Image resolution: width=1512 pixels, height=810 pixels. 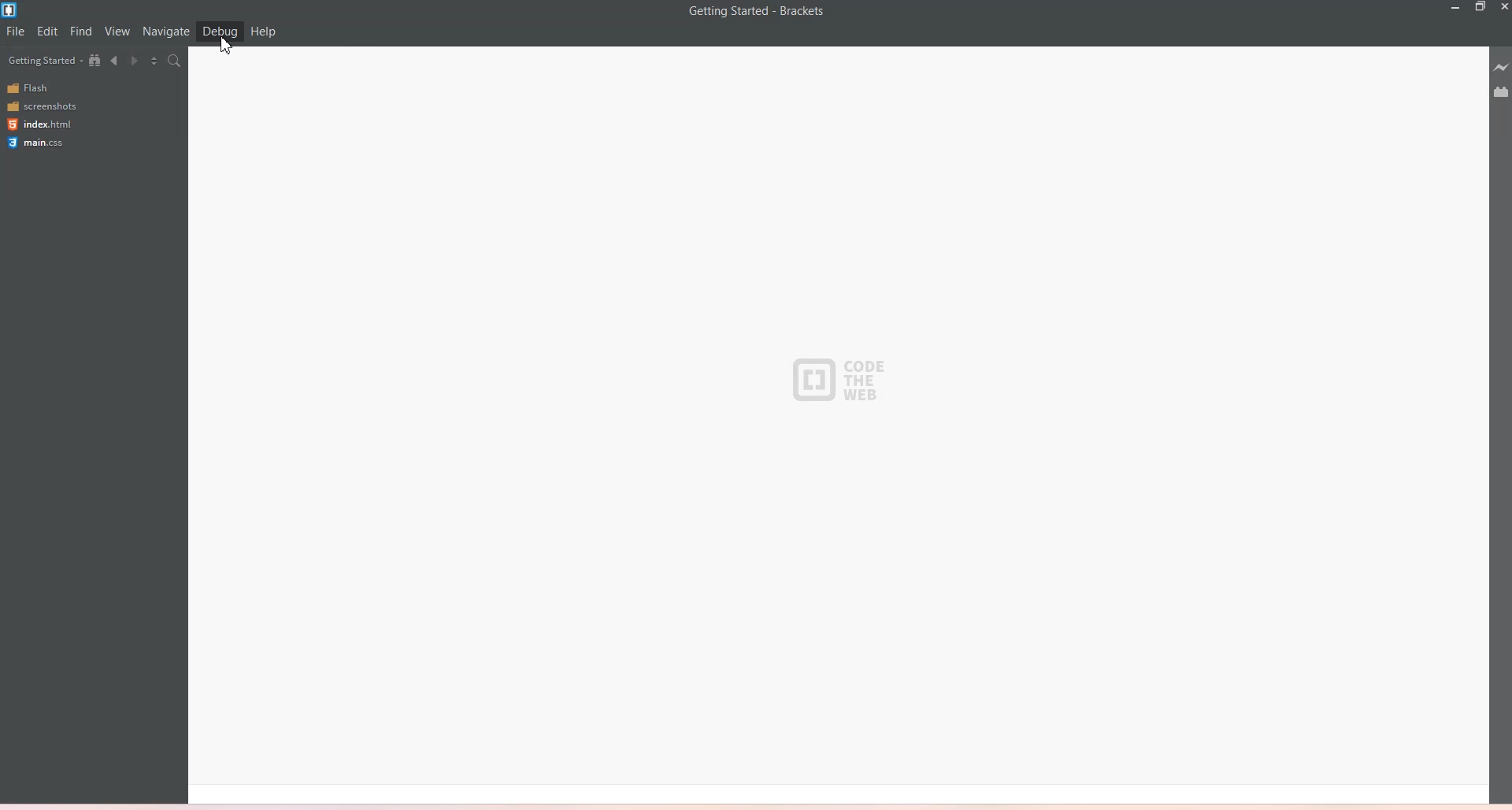 What do you see at coordinates (11, 10) in the screenshot?
I see `Bracket log` at bounding box center [11, 10].